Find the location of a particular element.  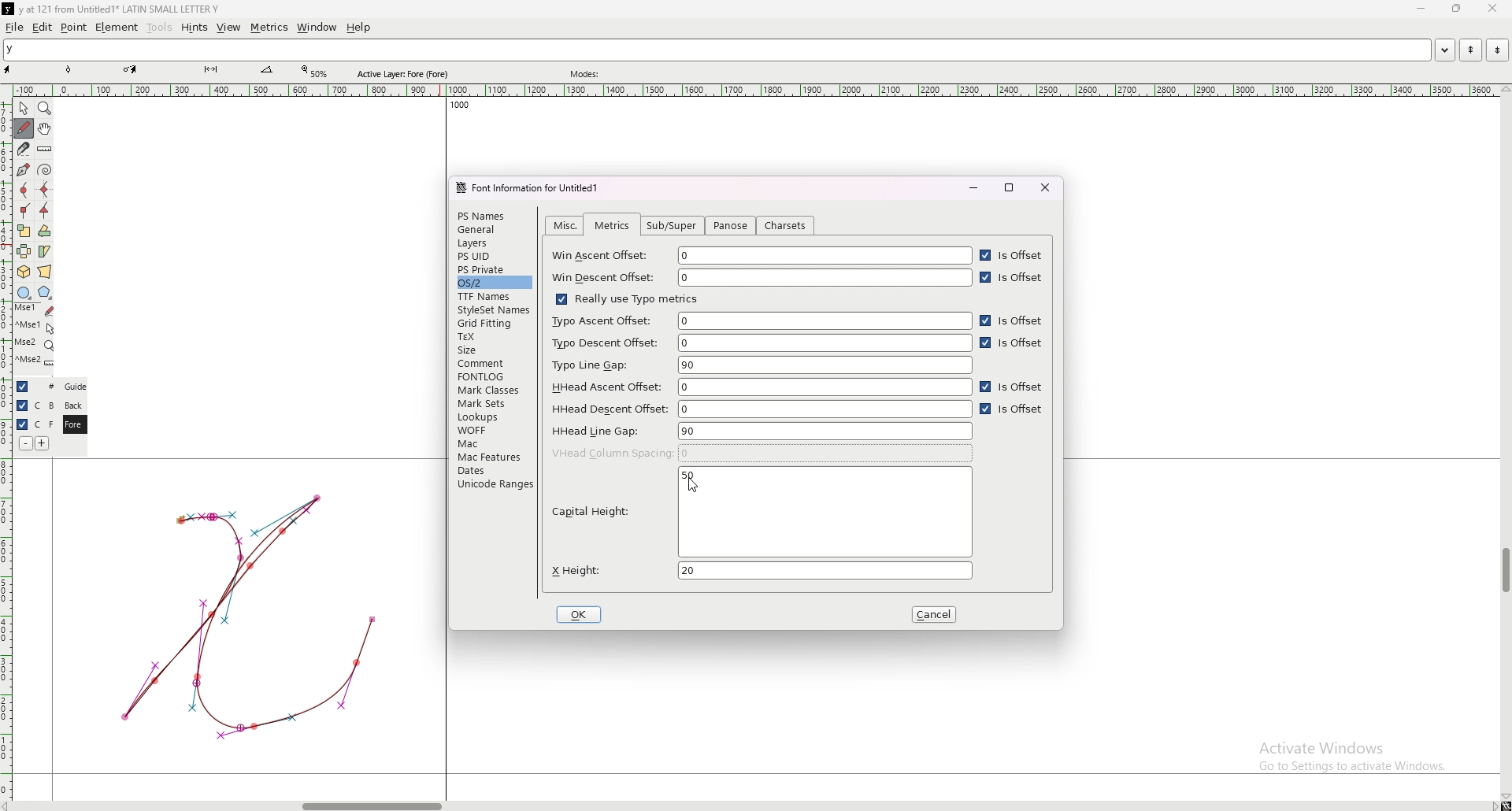

ttf frames is located at coordinates (492, 296).